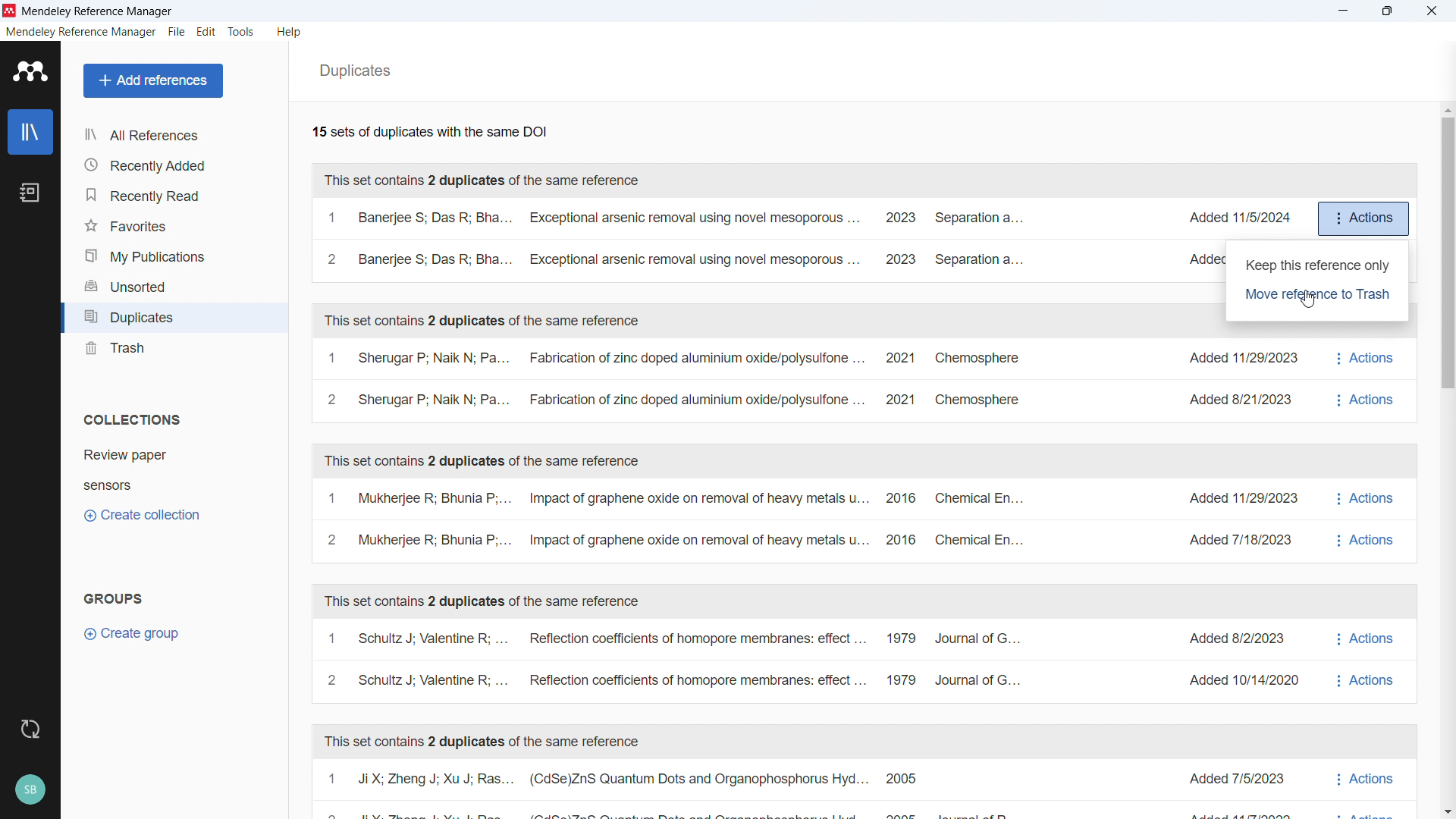 This screenshot has width=1456, height=819. What do you see at coordinates (31, 133) in the screenshot?
I see `Library ` at bounding box center [31, 133].